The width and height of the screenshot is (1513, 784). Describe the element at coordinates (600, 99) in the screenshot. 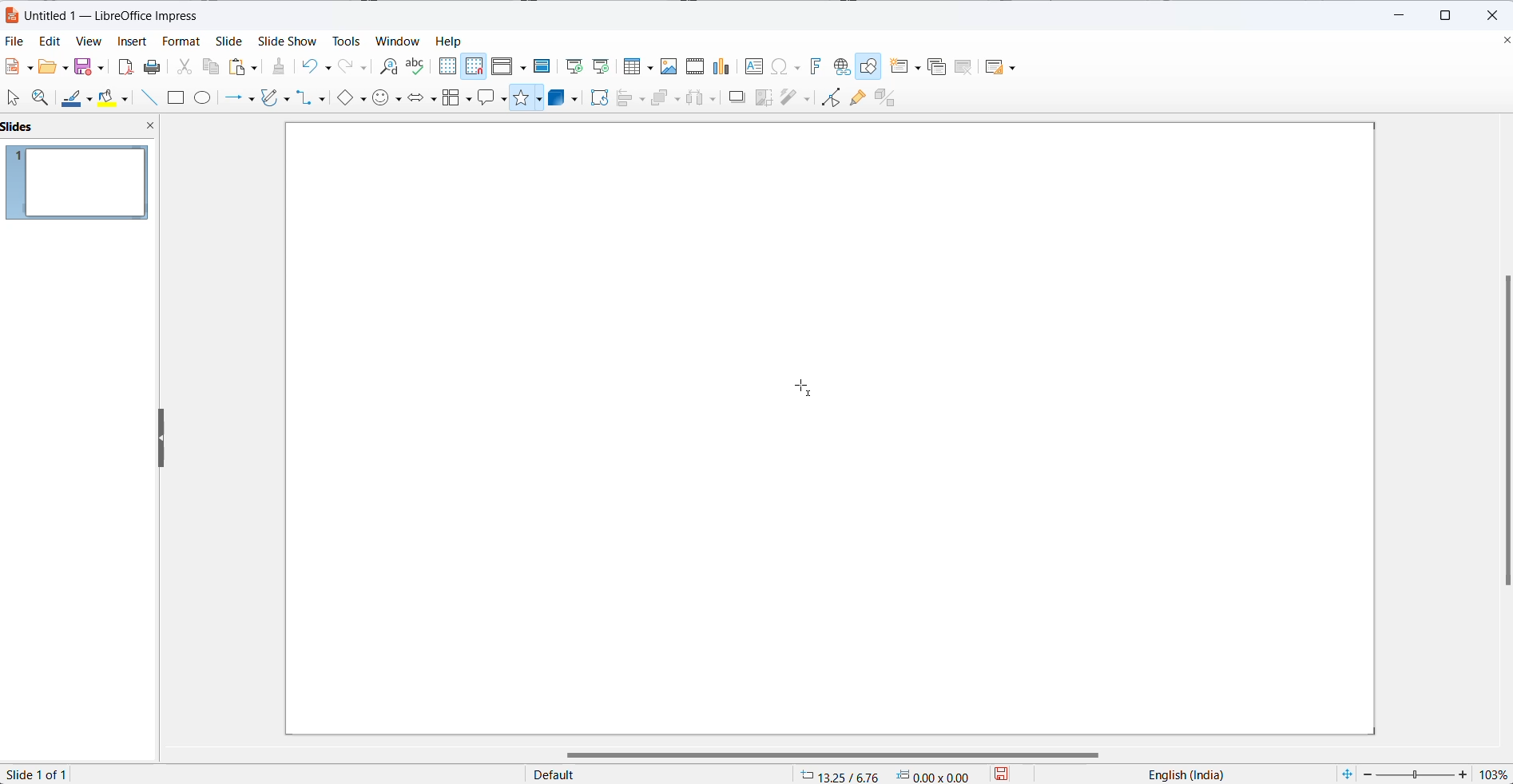

I see `rotate` at that location.